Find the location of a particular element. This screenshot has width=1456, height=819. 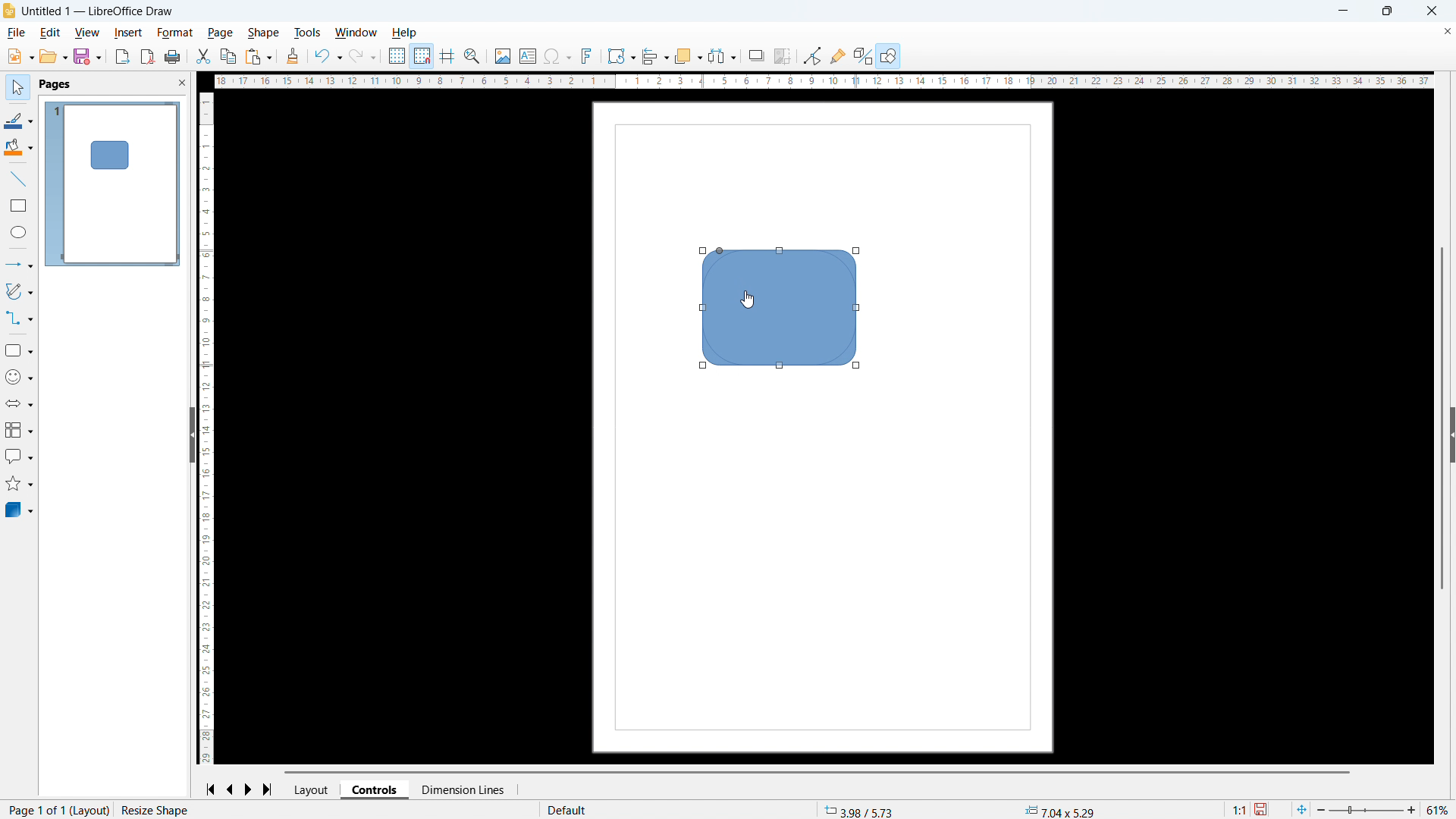

Block arrows  is located at coordinates (19, 404).